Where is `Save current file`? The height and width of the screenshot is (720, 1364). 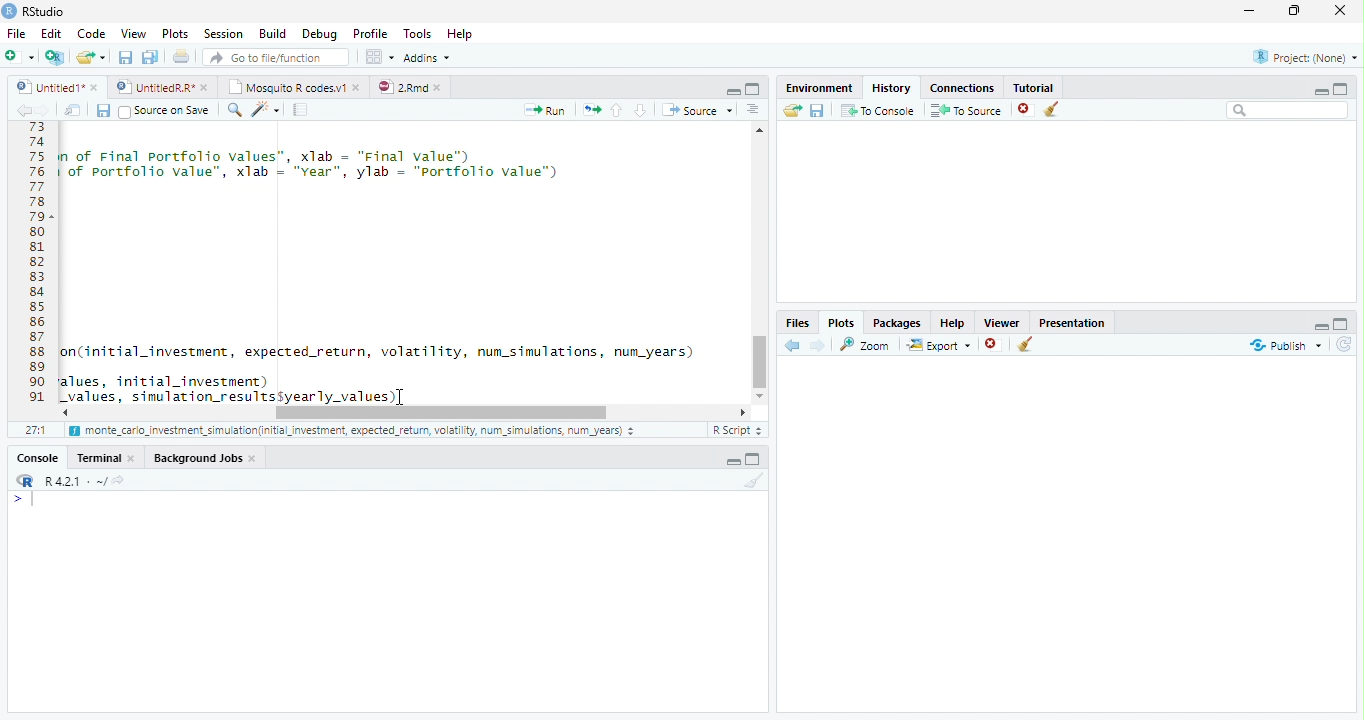 Save current file is located at coordinates (124, 57).